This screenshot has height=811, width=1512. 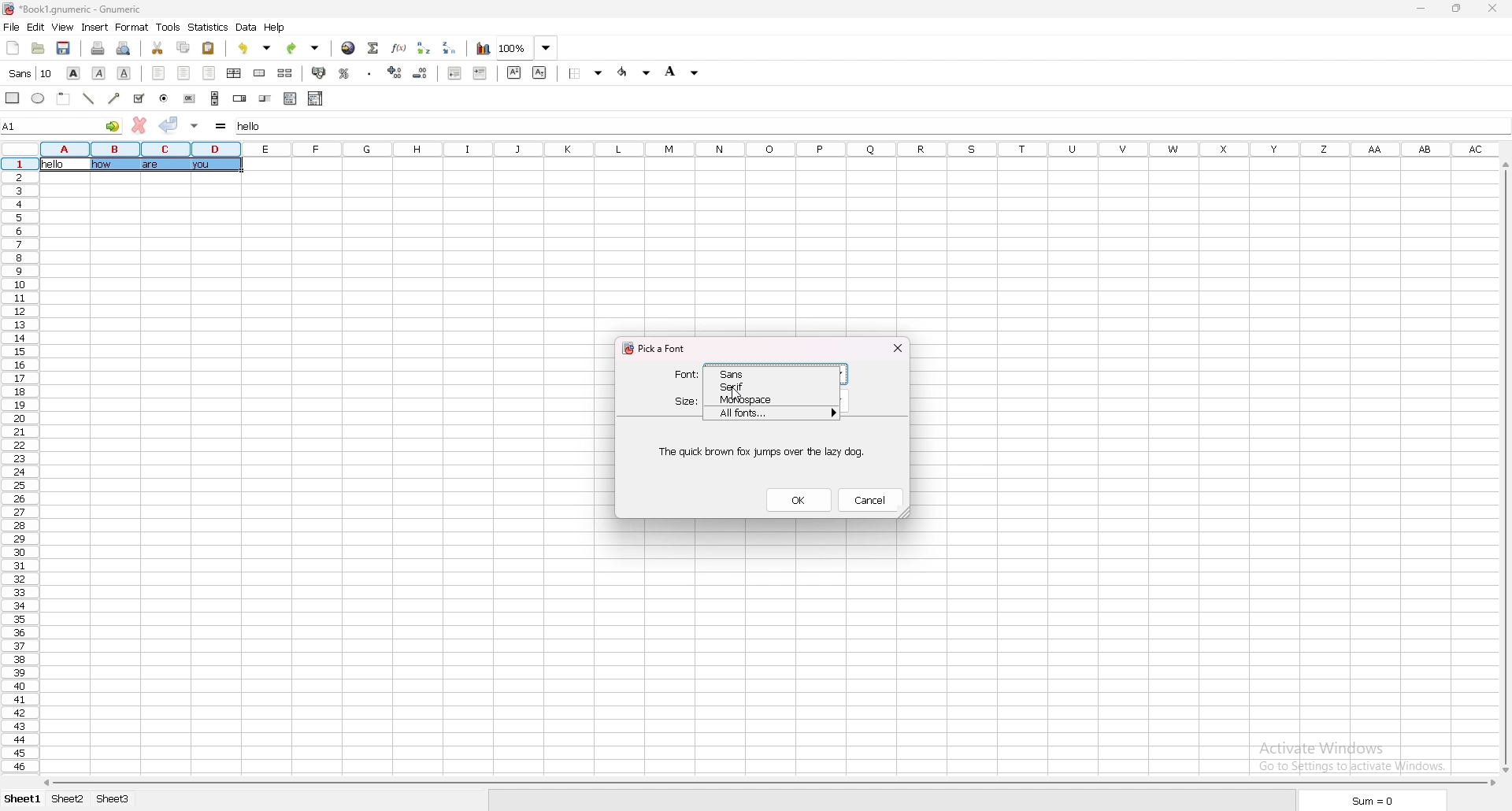 What do you see at coordinates (100, 47) in the screenshot?
I see `print` at bounding box center [100, 47].